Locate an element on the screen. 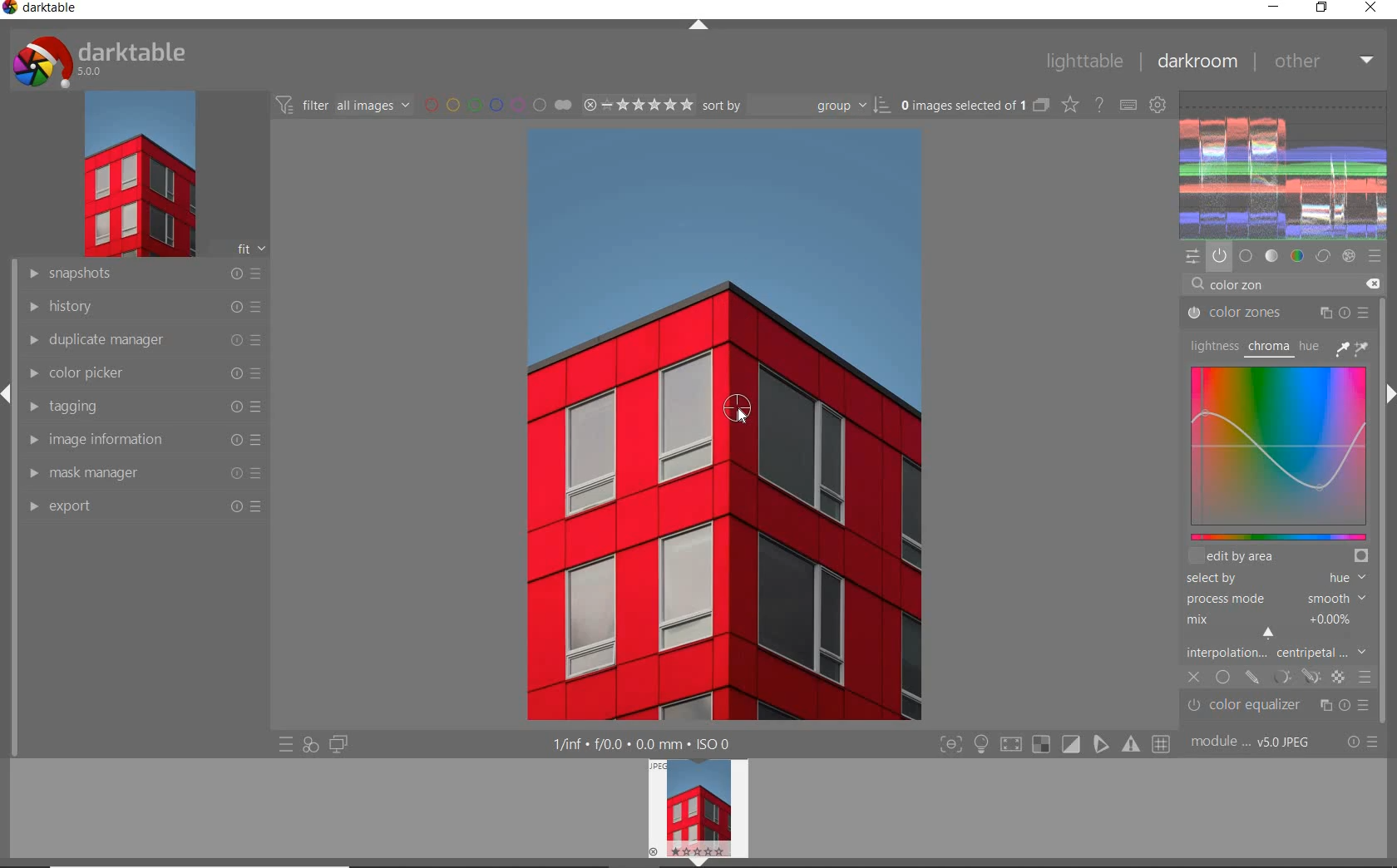 The image size is (1397, 868). COLOR PICKER TOOL POSITION is located at coordinates (736, 408).